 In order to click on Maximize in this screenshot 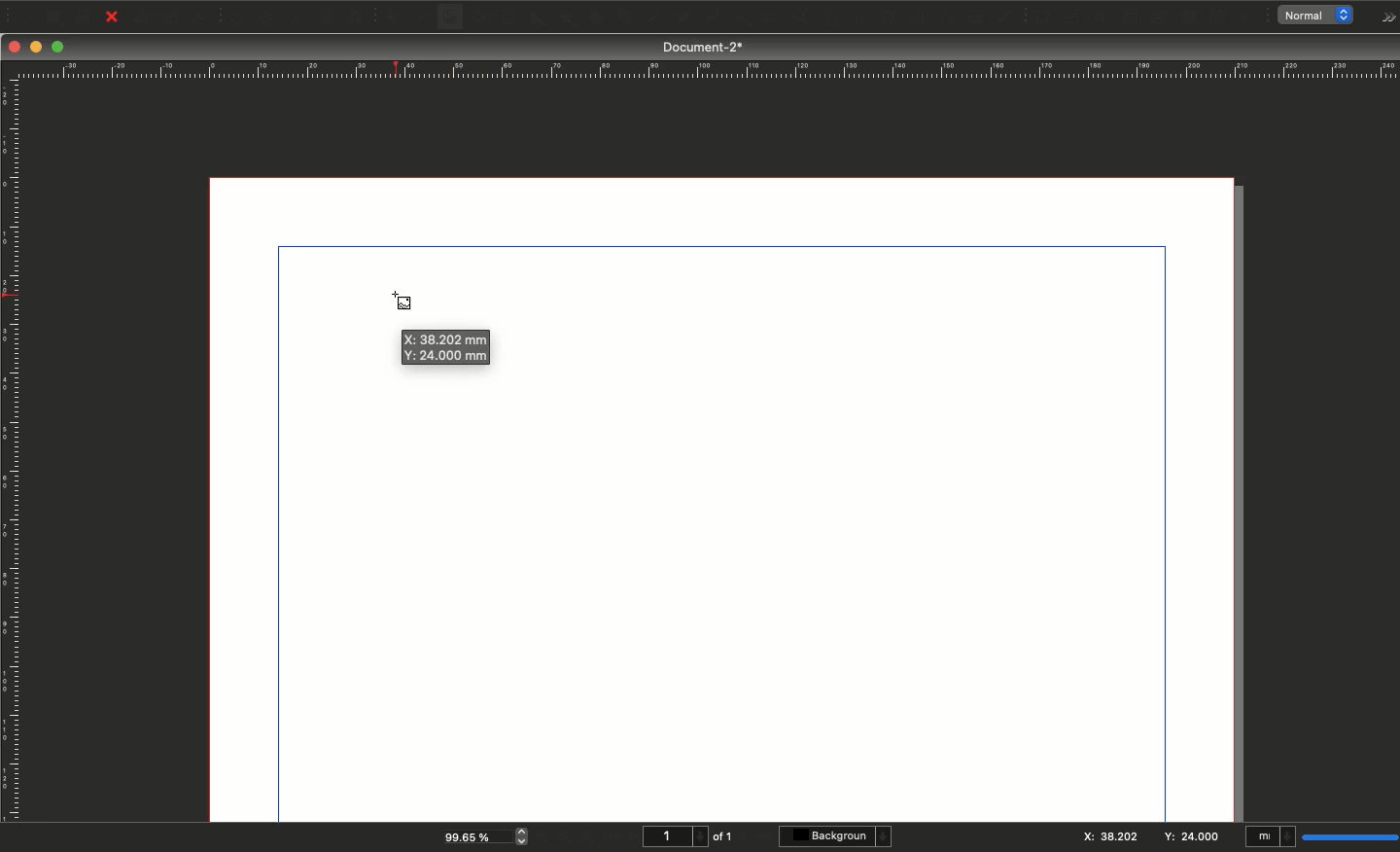, I will do `click(59, 49)`.